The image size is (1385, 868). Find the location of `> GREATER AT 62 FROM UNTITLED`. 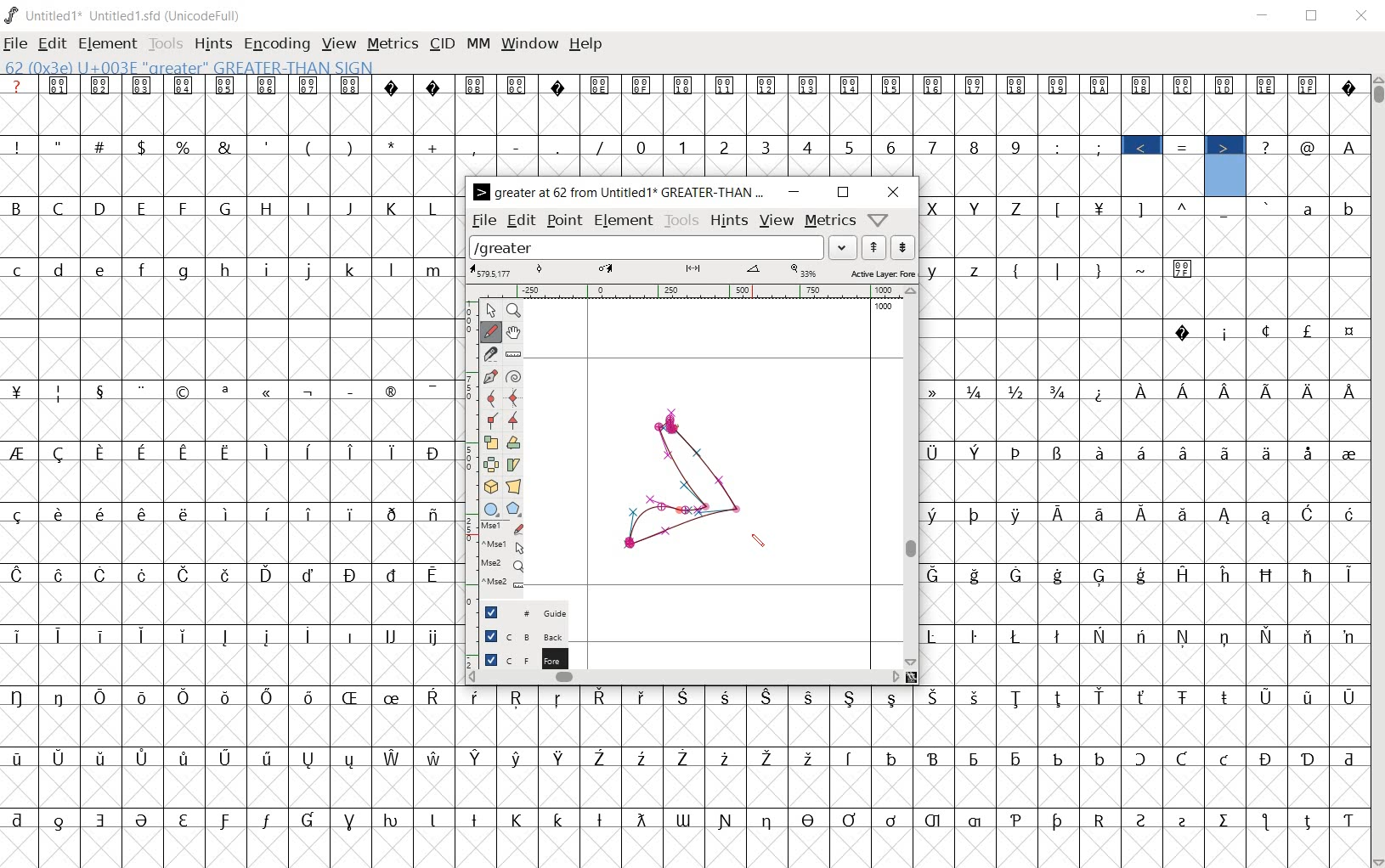

> GREATER AT 62 FROM UNTITLED is located at coordinates (619, 192).